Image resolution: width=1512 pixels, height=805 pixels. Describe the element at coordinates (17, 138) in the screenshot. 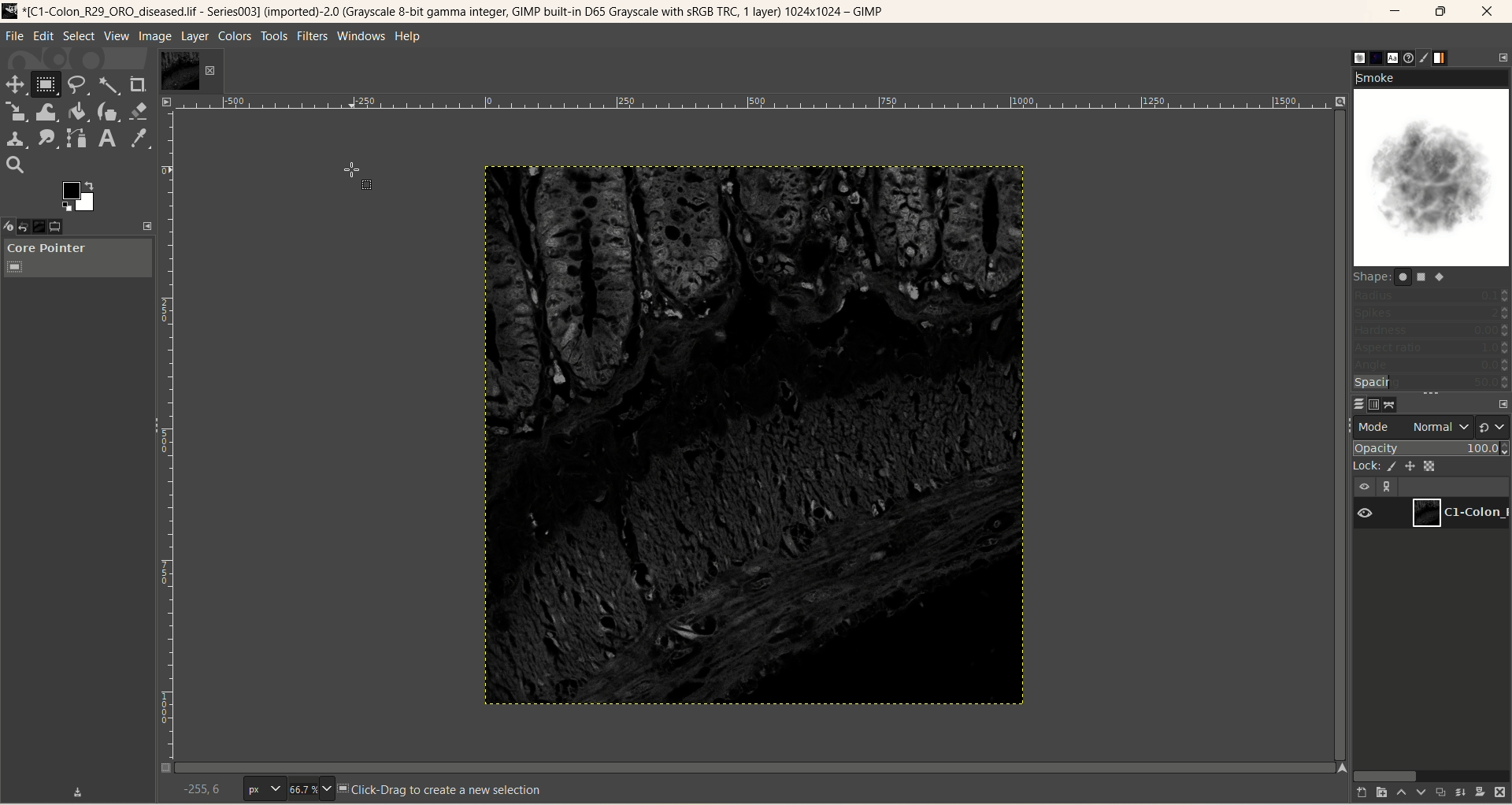

I see `clone tool` at that location.